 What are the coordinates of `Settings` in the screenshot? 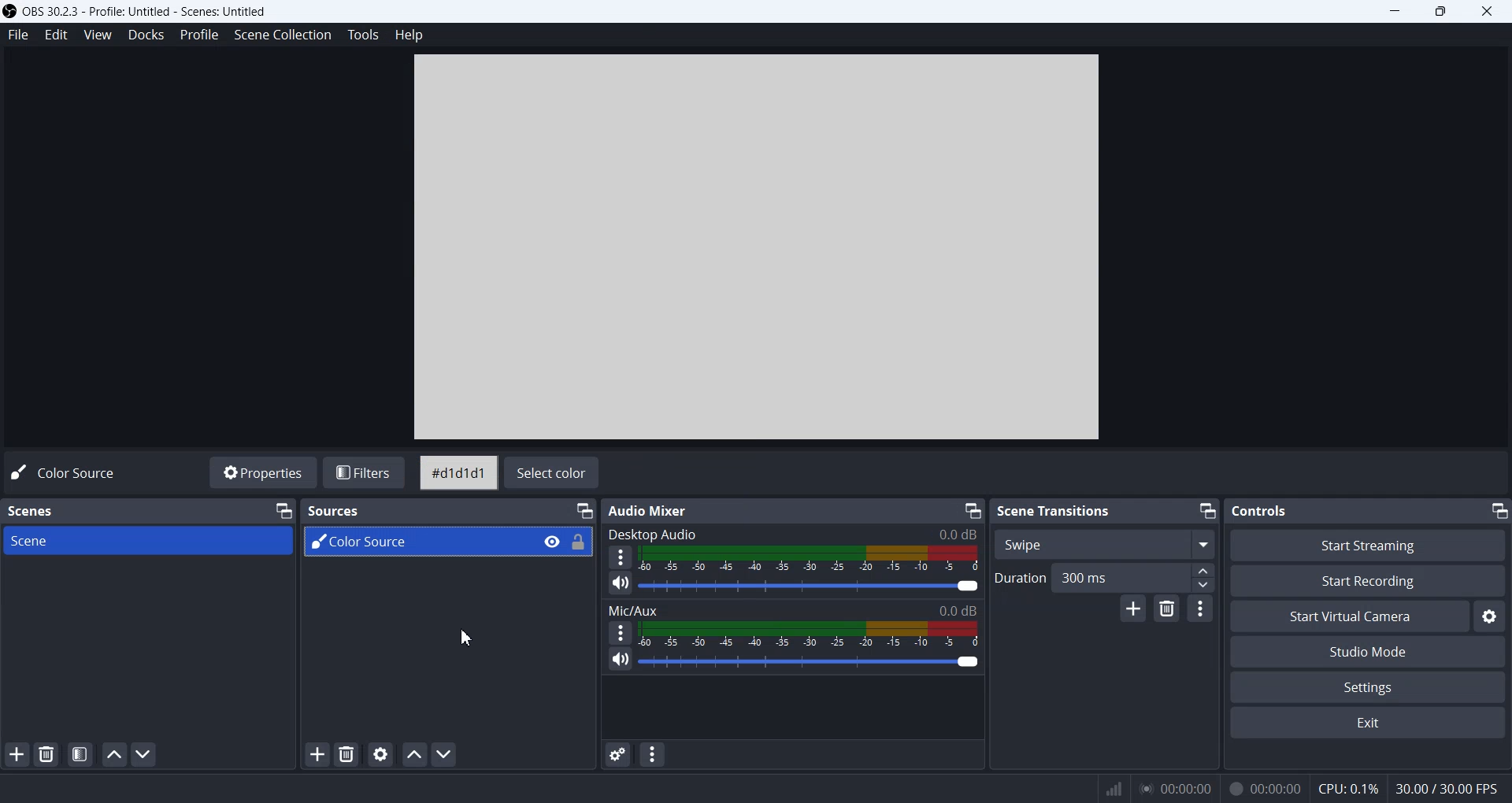 It's located at (1369, 686).